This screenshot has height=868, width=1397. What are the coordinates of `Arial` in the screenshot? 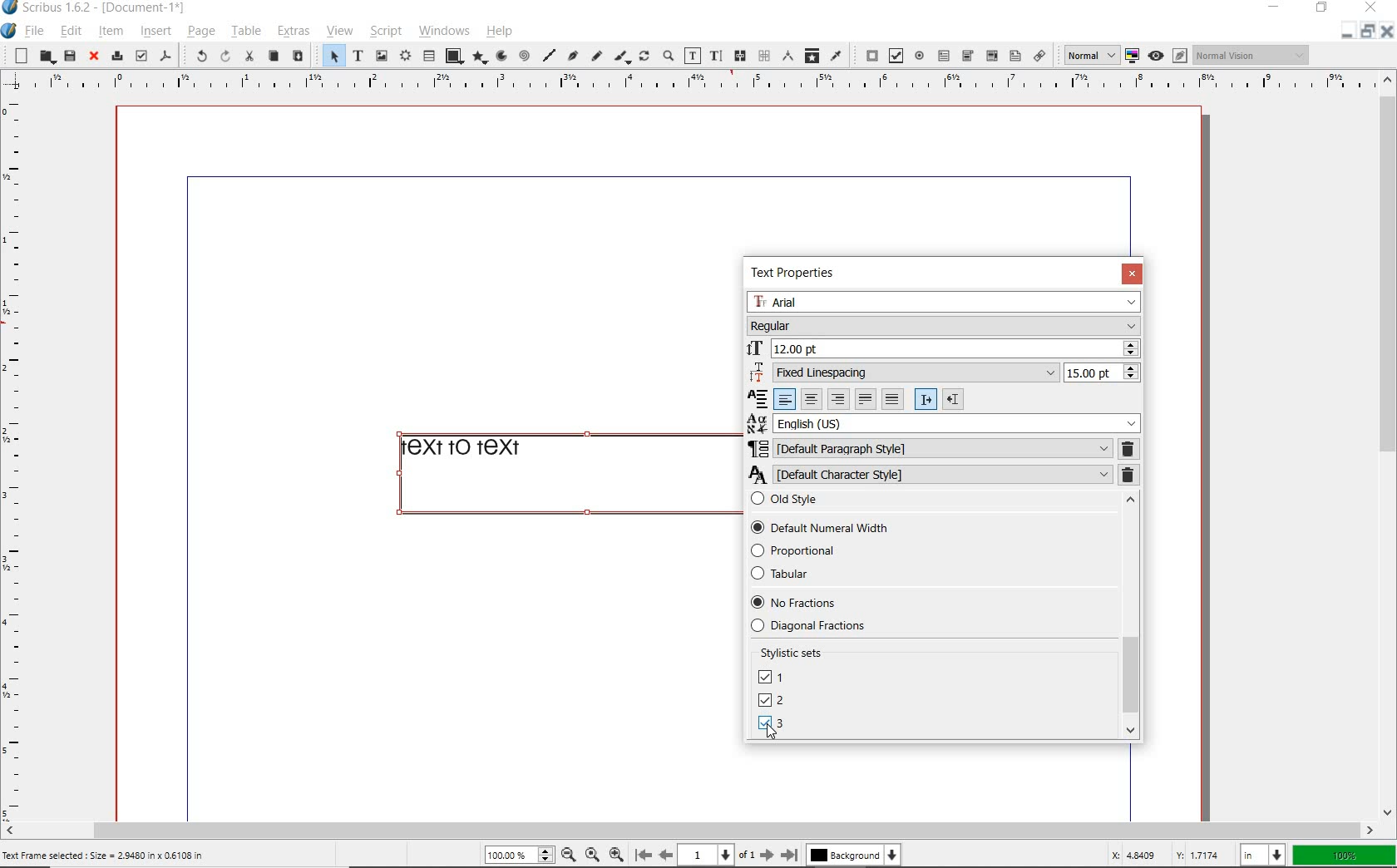 It's located at (942, 301).